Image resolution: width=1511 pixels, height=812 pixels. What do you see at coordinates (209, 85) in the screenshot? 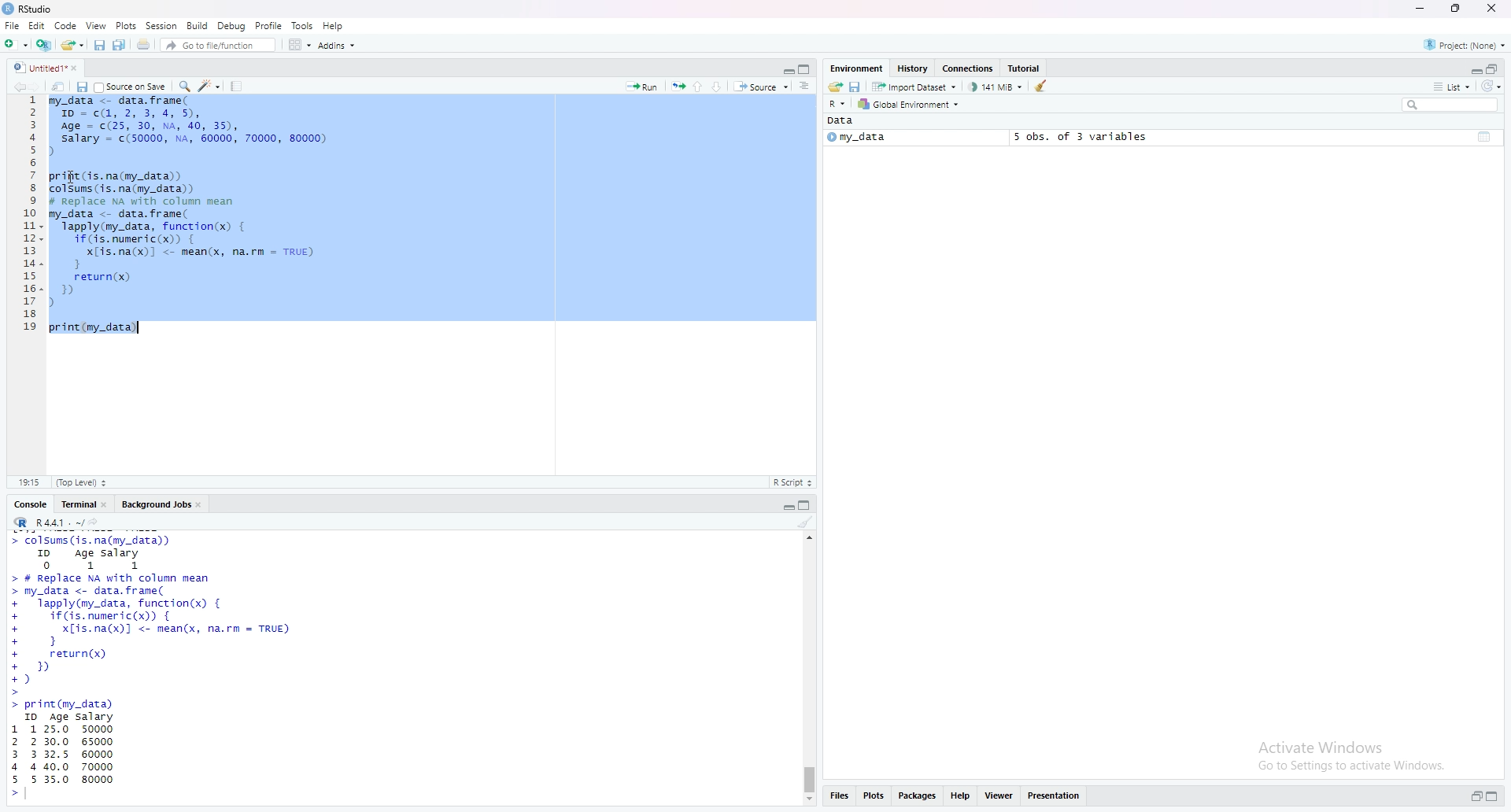
I see `code tools` at bounding box center [209, 85].